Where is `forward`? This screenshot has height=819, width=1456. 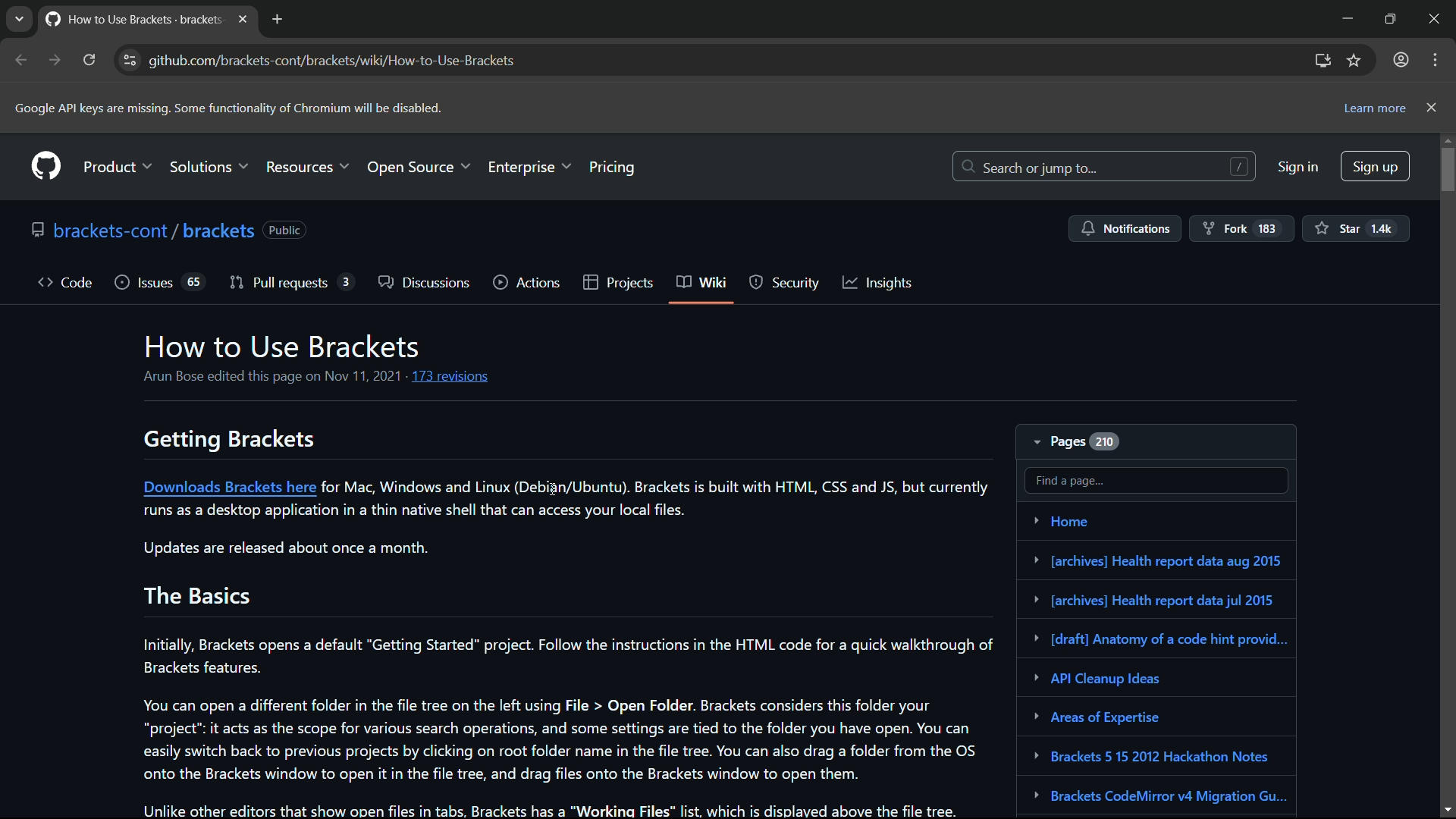
forward is located at coordinates (55, 60).